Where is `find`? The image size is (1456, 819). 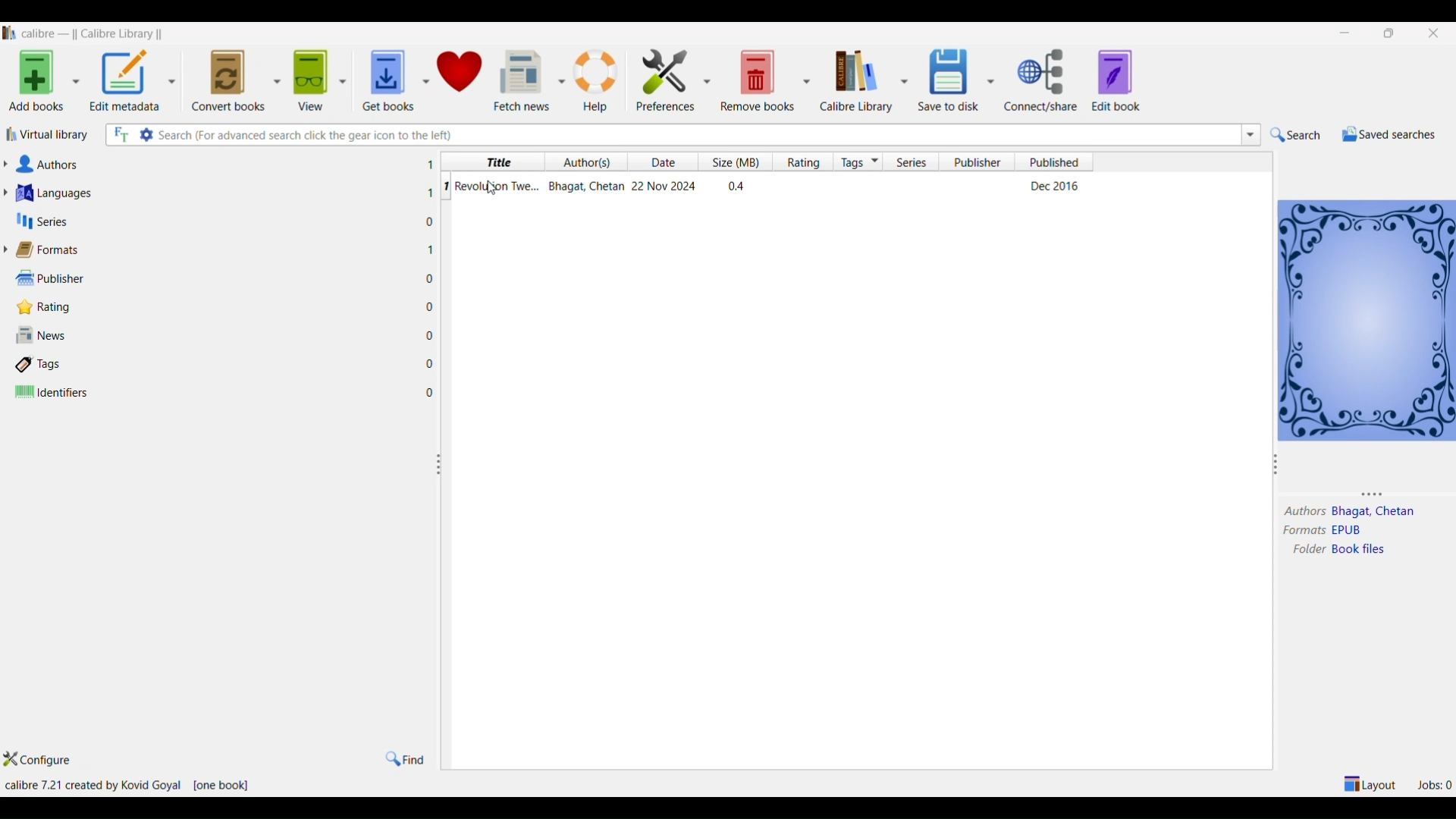
find is located at coordinates (404, 758).